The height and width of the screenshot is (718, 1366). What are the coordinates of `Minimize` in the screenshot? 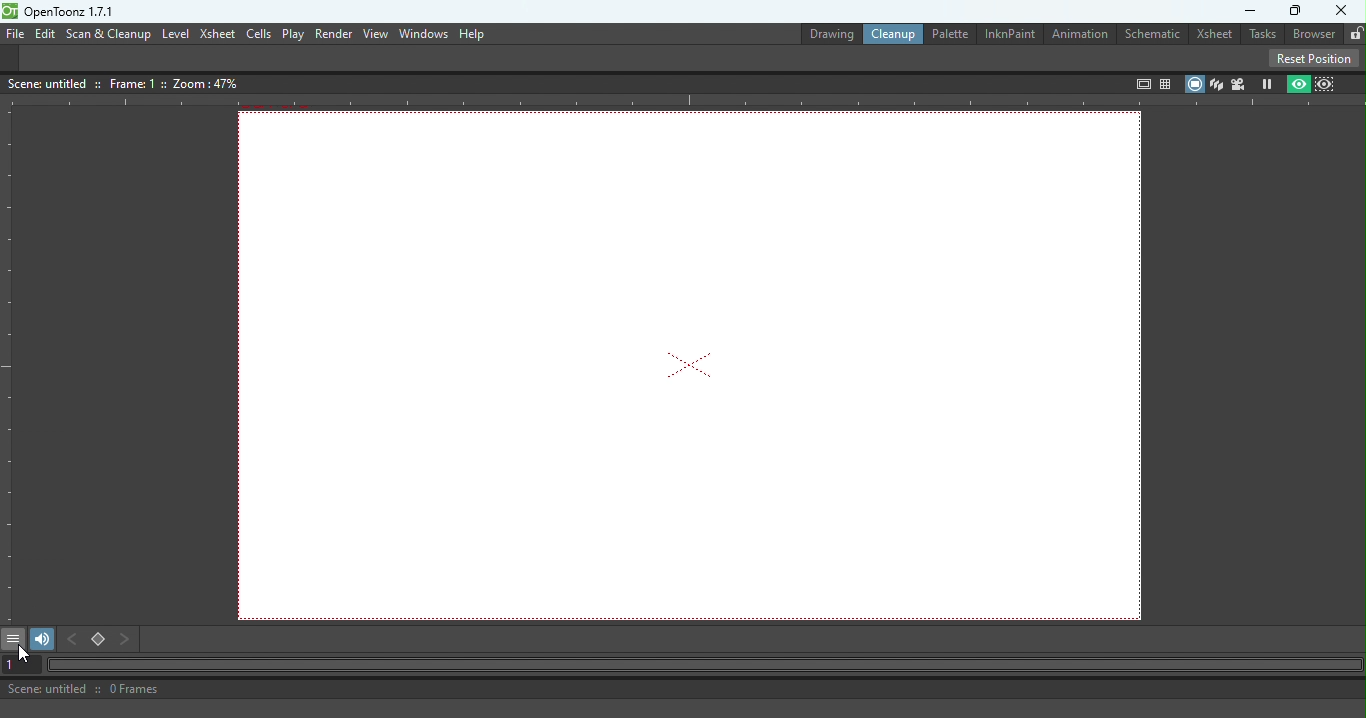 It's located at (1244, 11).